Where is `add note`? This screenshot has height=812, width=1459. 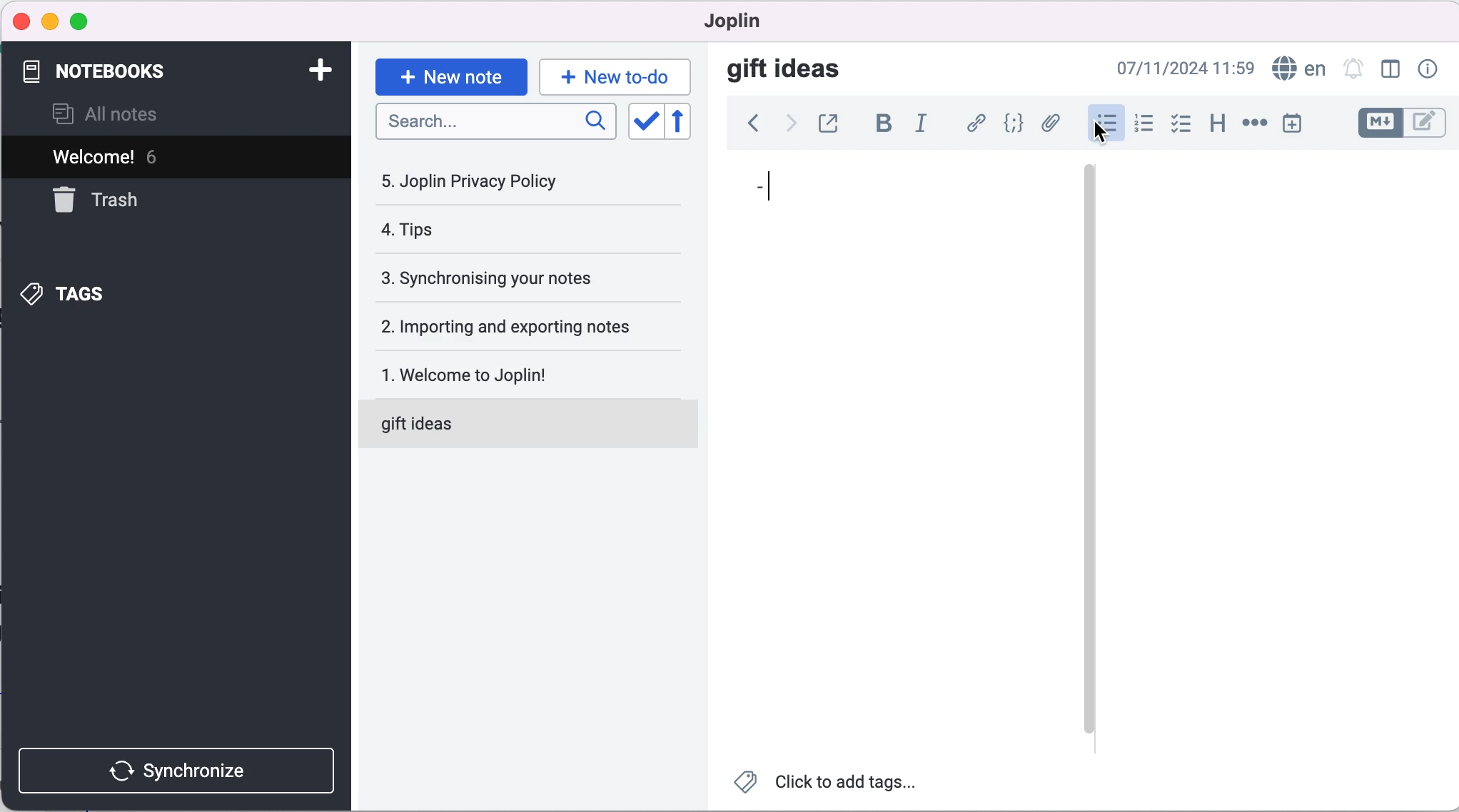
add note is located at coordinates (313, 69).